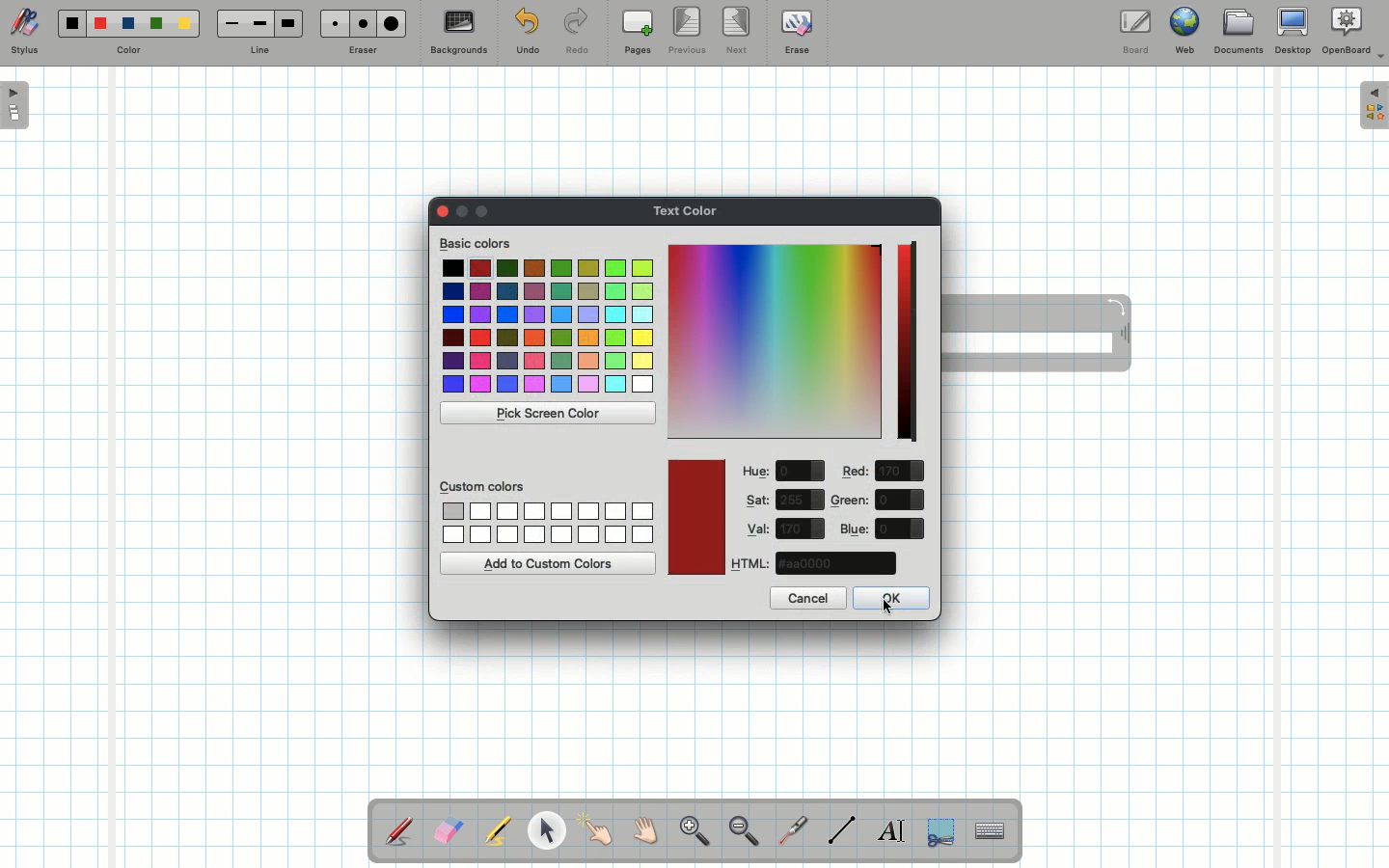 This screenshot has height=868, width=1389. Describe the element at coordinates (1353, 31) in the screenshot. I see `OpenBoard` at that location.